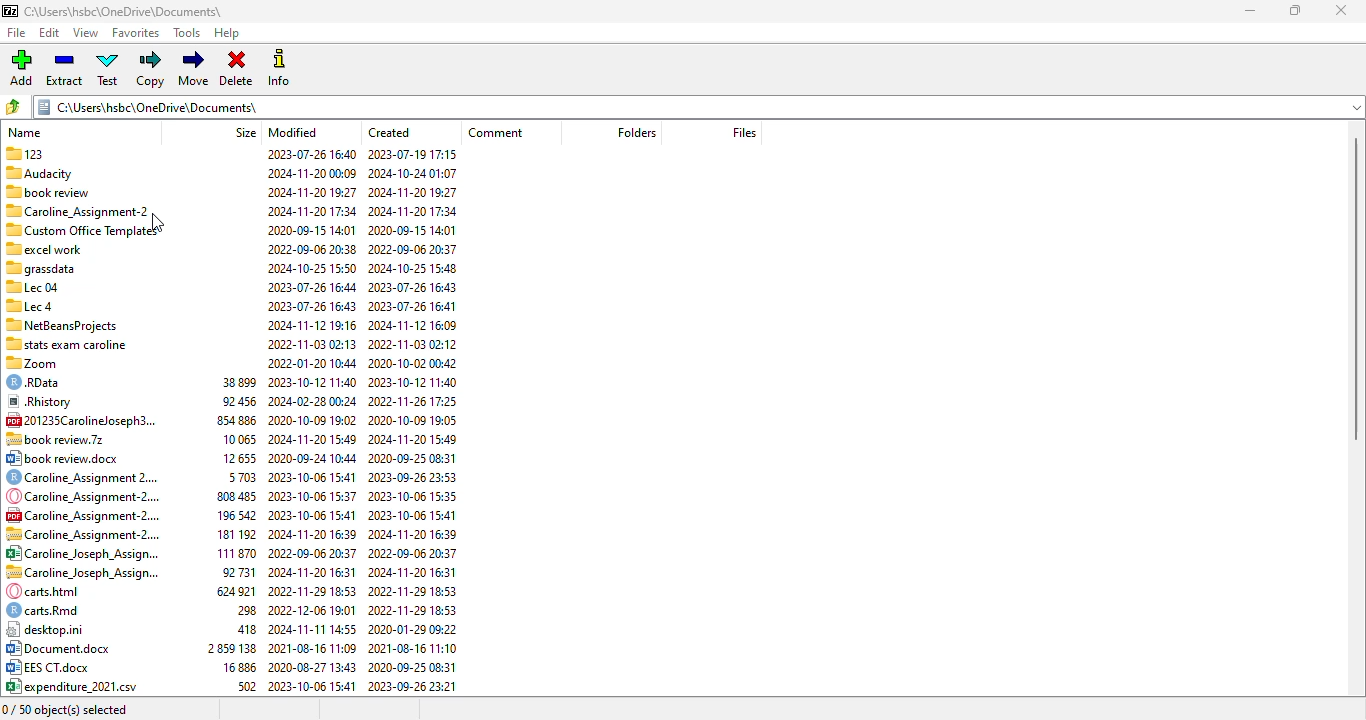 The height and width of the screenshot is (720, 1366). I want to click on 2023-10-06 15:37, so click(310, 496).